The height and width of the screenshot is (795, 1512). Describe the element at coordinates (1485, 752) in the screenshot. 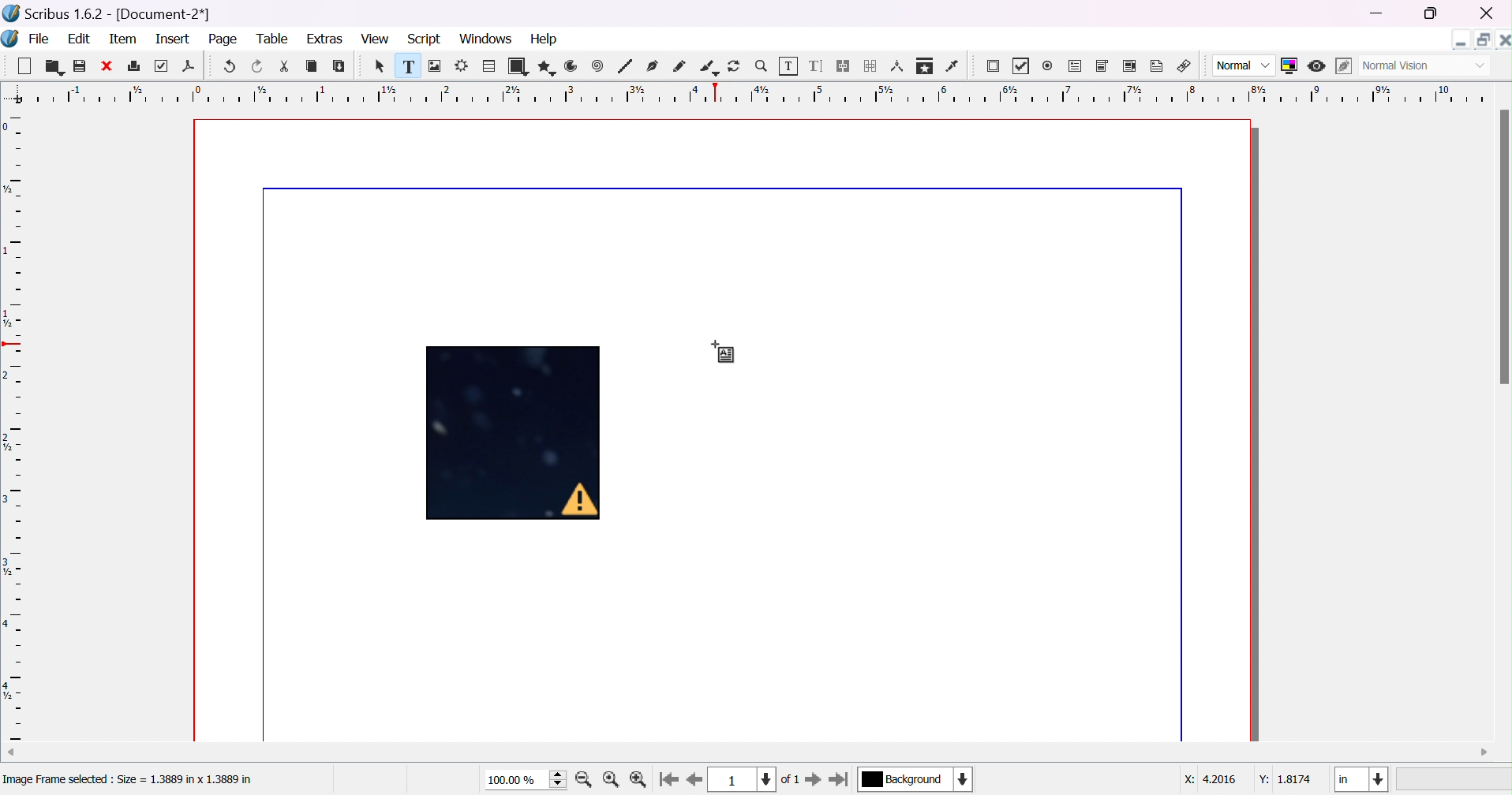

I see `scroll right` at that location.